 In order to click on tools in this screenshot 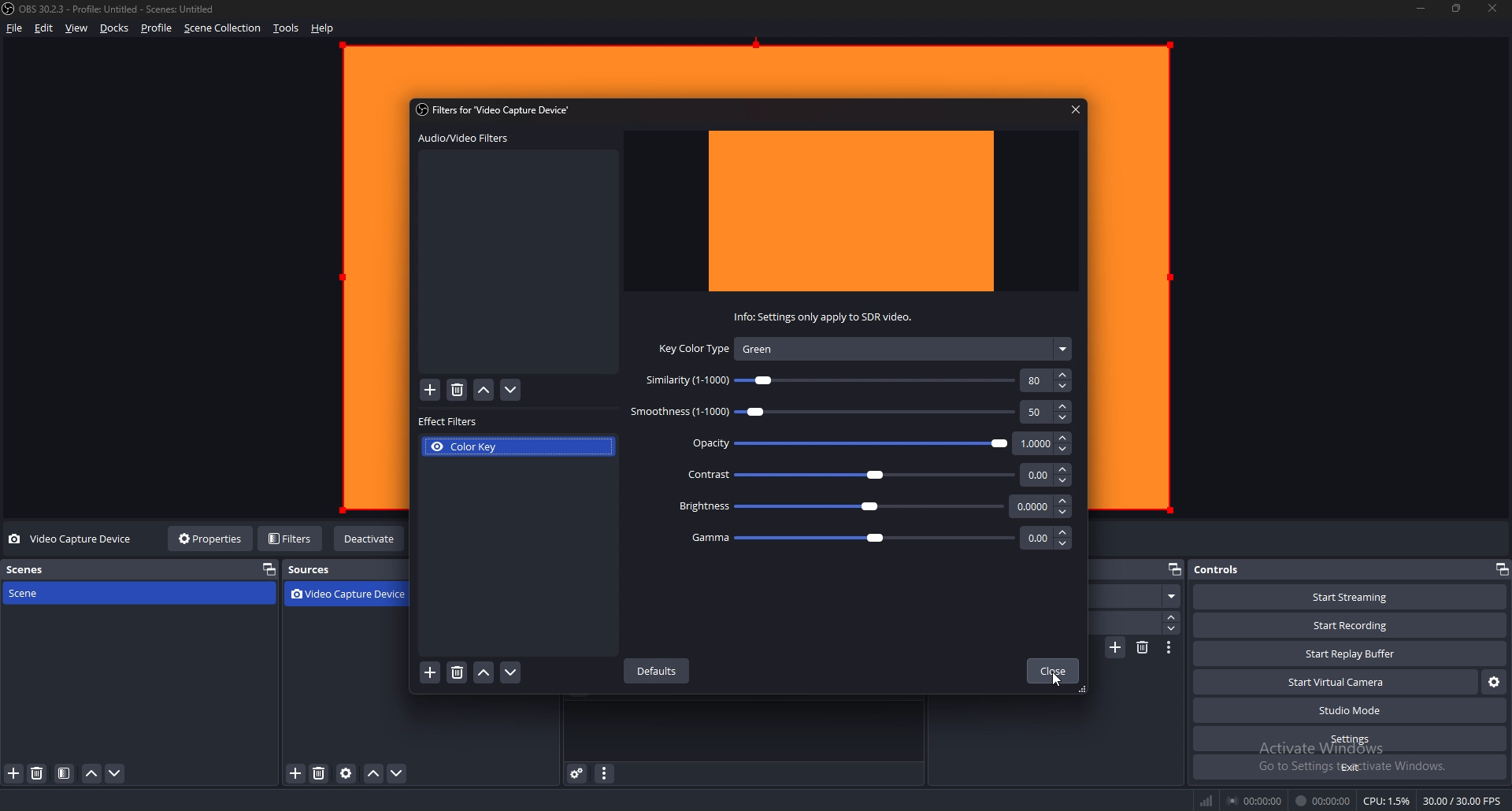, I will do `click(287, 28)`.